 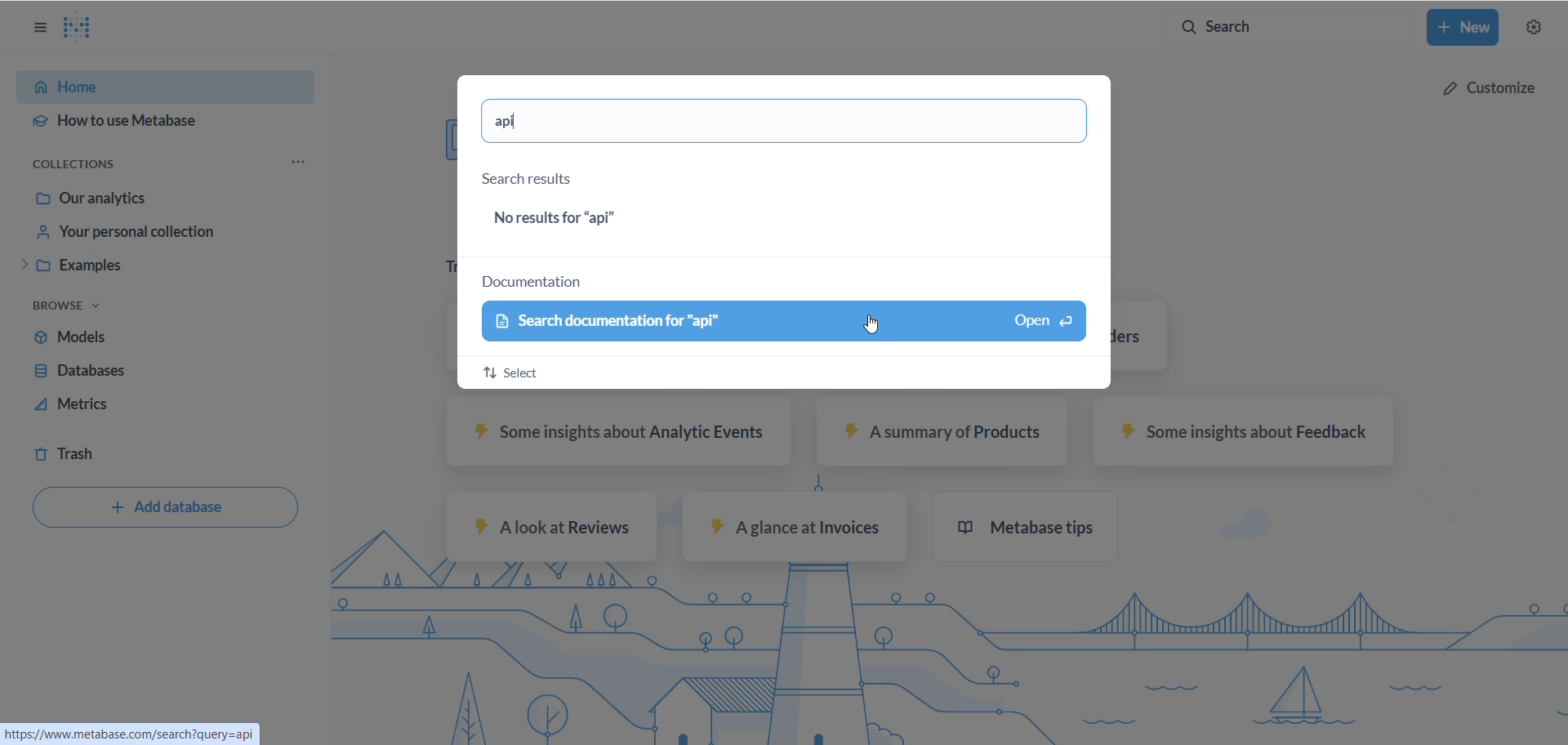 I want to click on examples, so click(x=138, y=267).